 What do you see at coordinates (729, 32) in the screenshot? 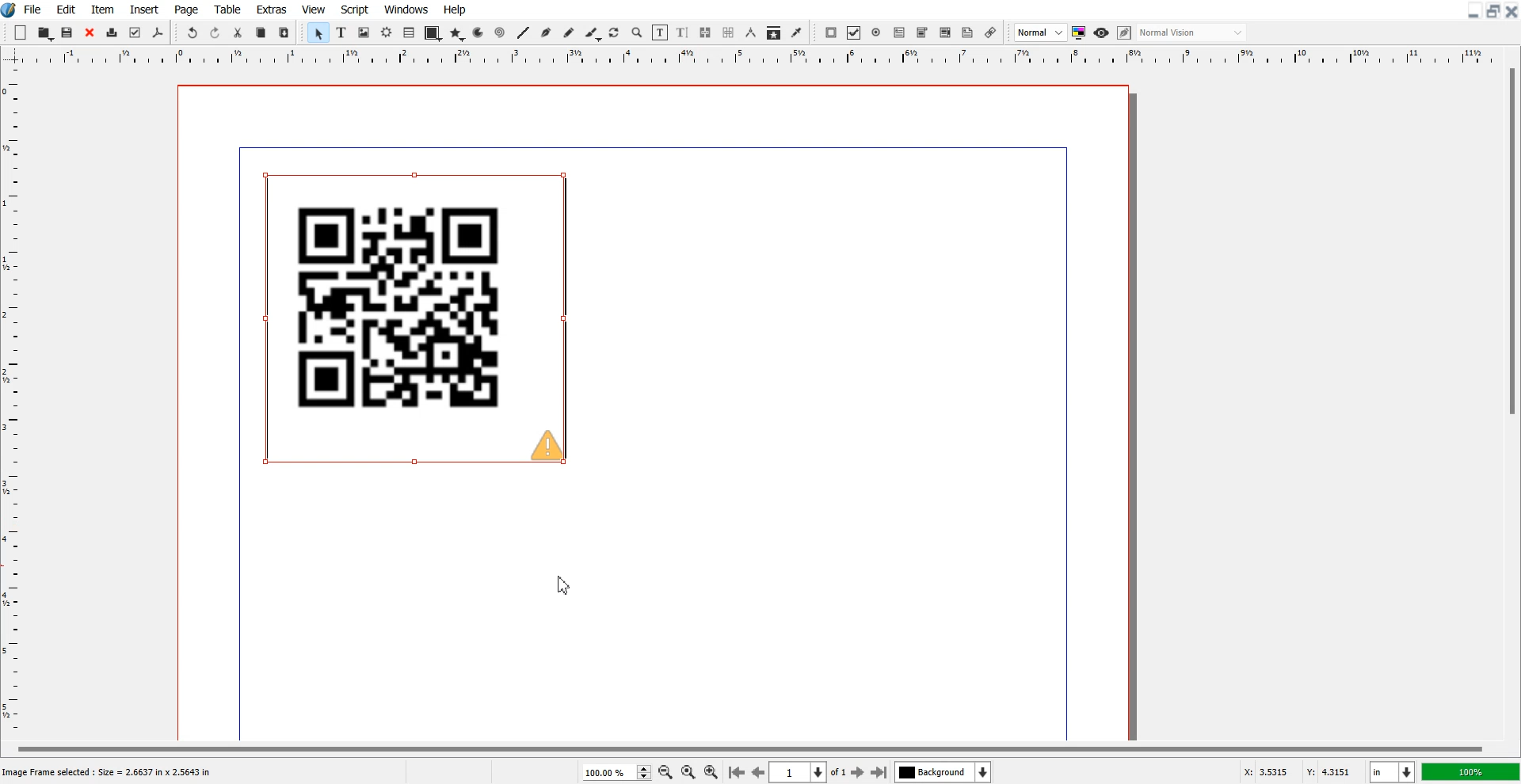
I see `Unlink Text frame` at bounding box center [729, 32].